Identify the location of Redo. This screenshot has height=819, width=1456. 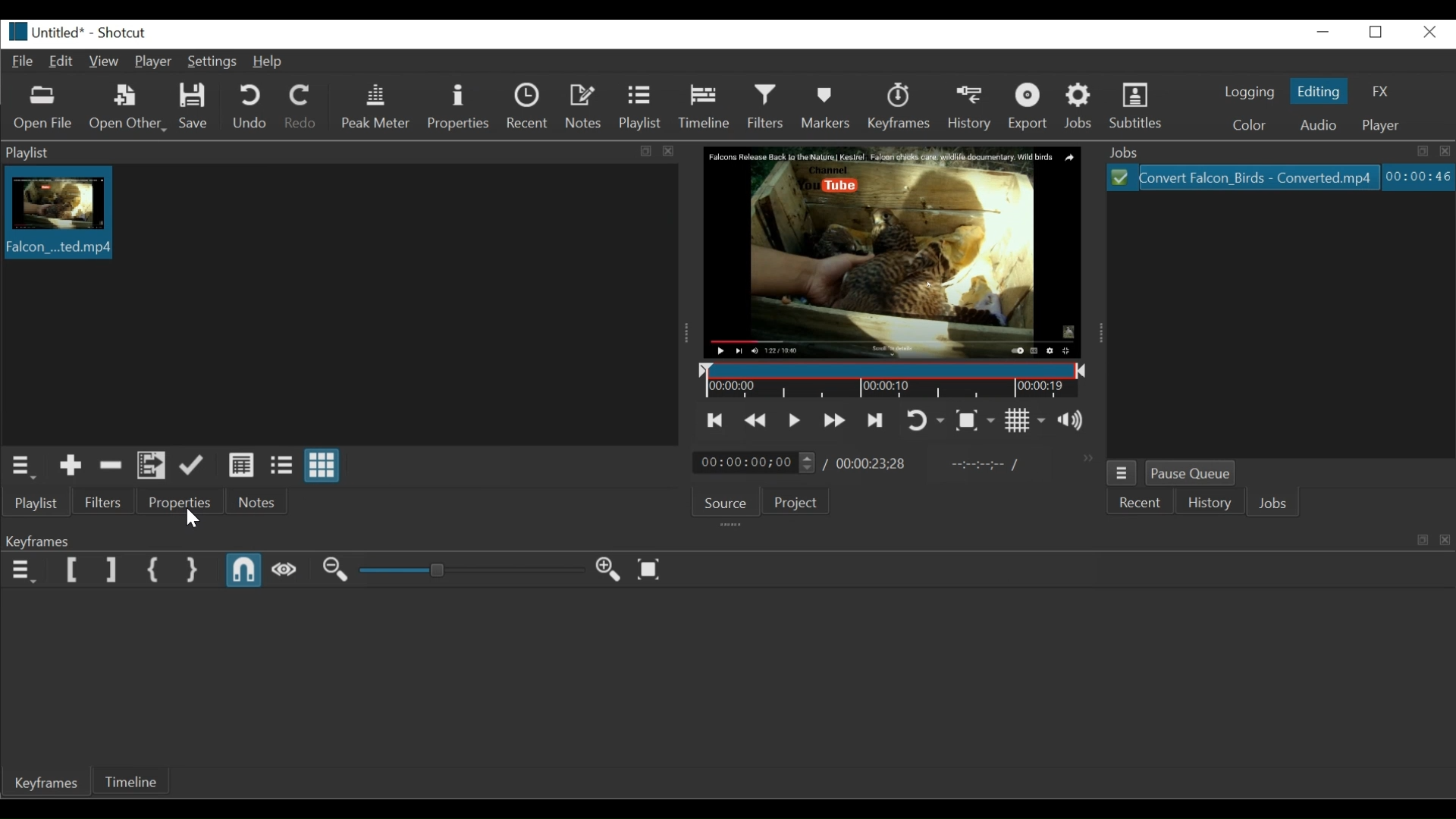
(299, 108).